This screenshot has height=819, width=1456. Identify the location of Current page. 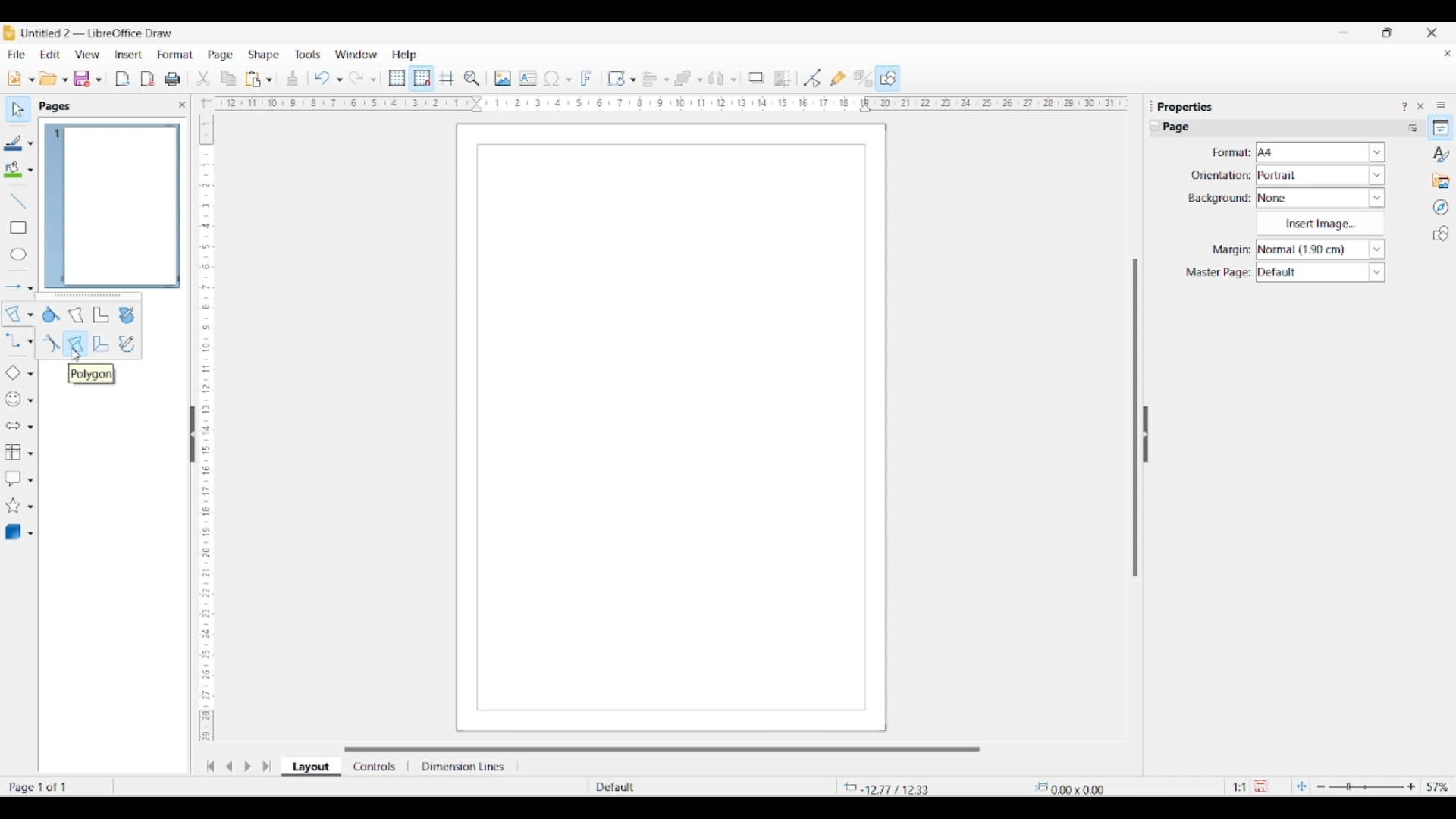
(111, 206).